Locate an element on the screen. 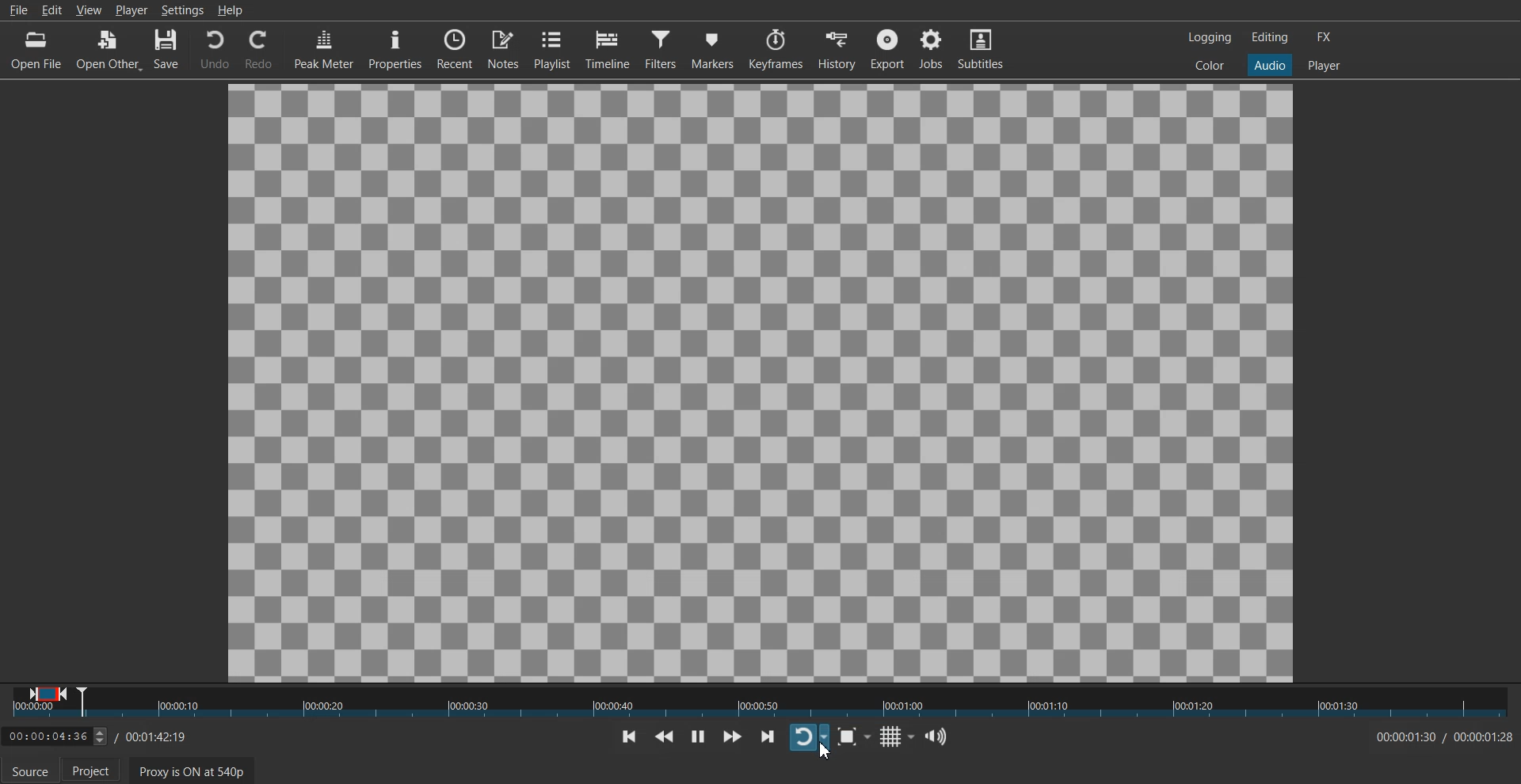  Filter is located at coordinates (661, 49).